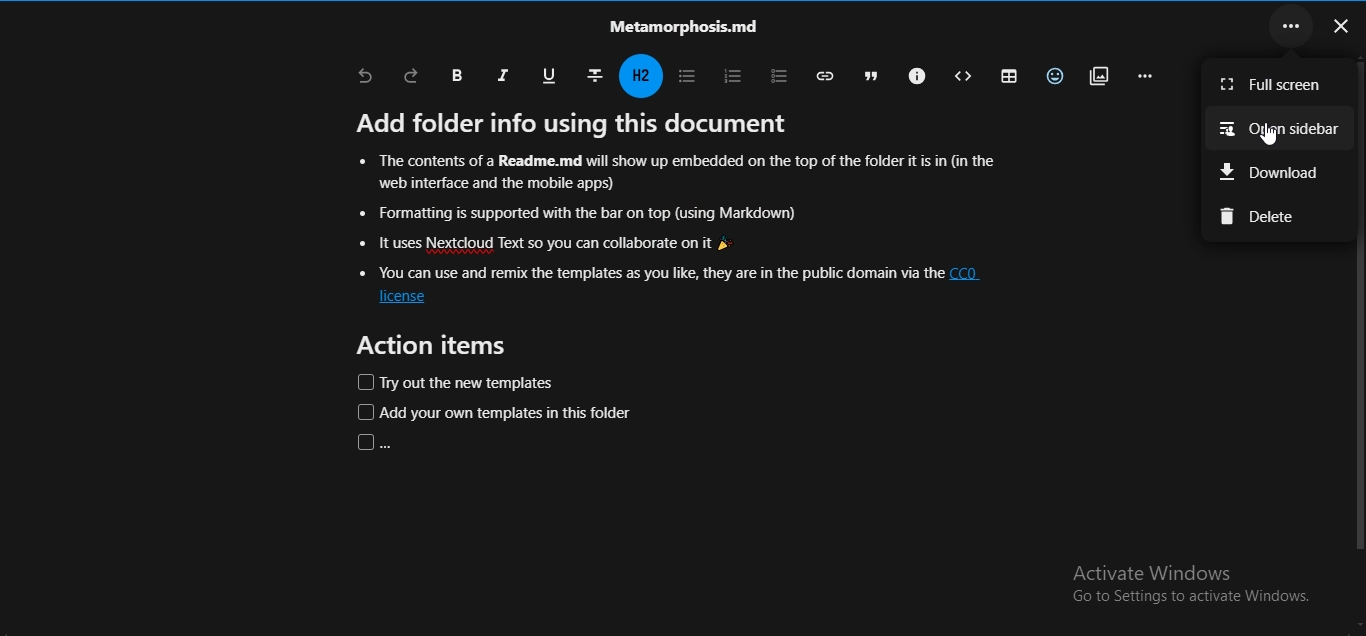 The image size is (1366, 636). Describe the element at coordinates (1099, 76) in the screenshot. I see `insert attachments` at that location.